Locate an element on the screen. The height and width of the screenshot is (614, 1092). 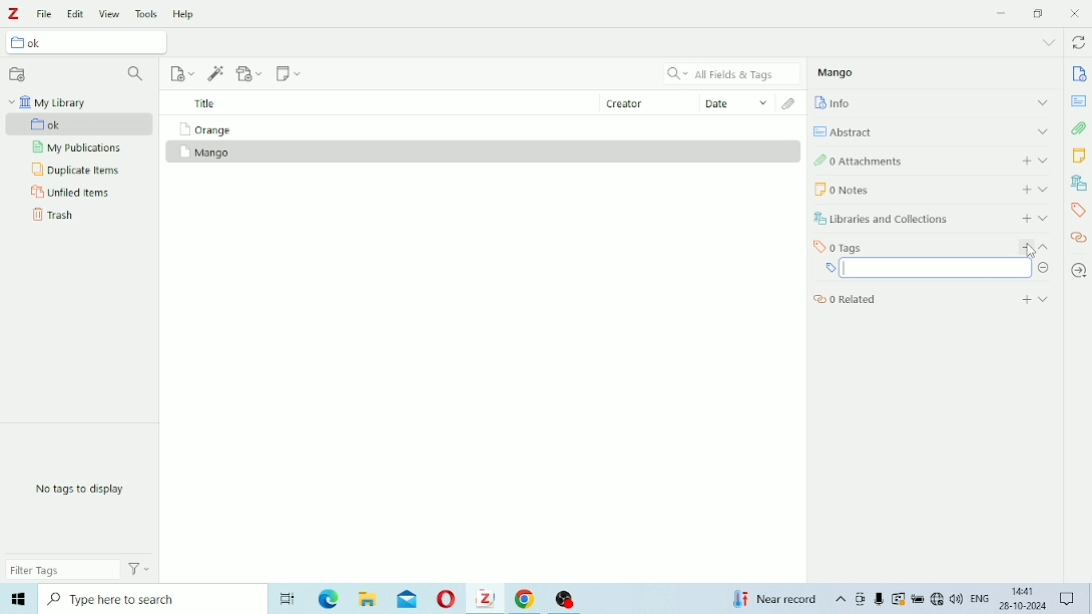
Warning is located at coordinates (898, 599).